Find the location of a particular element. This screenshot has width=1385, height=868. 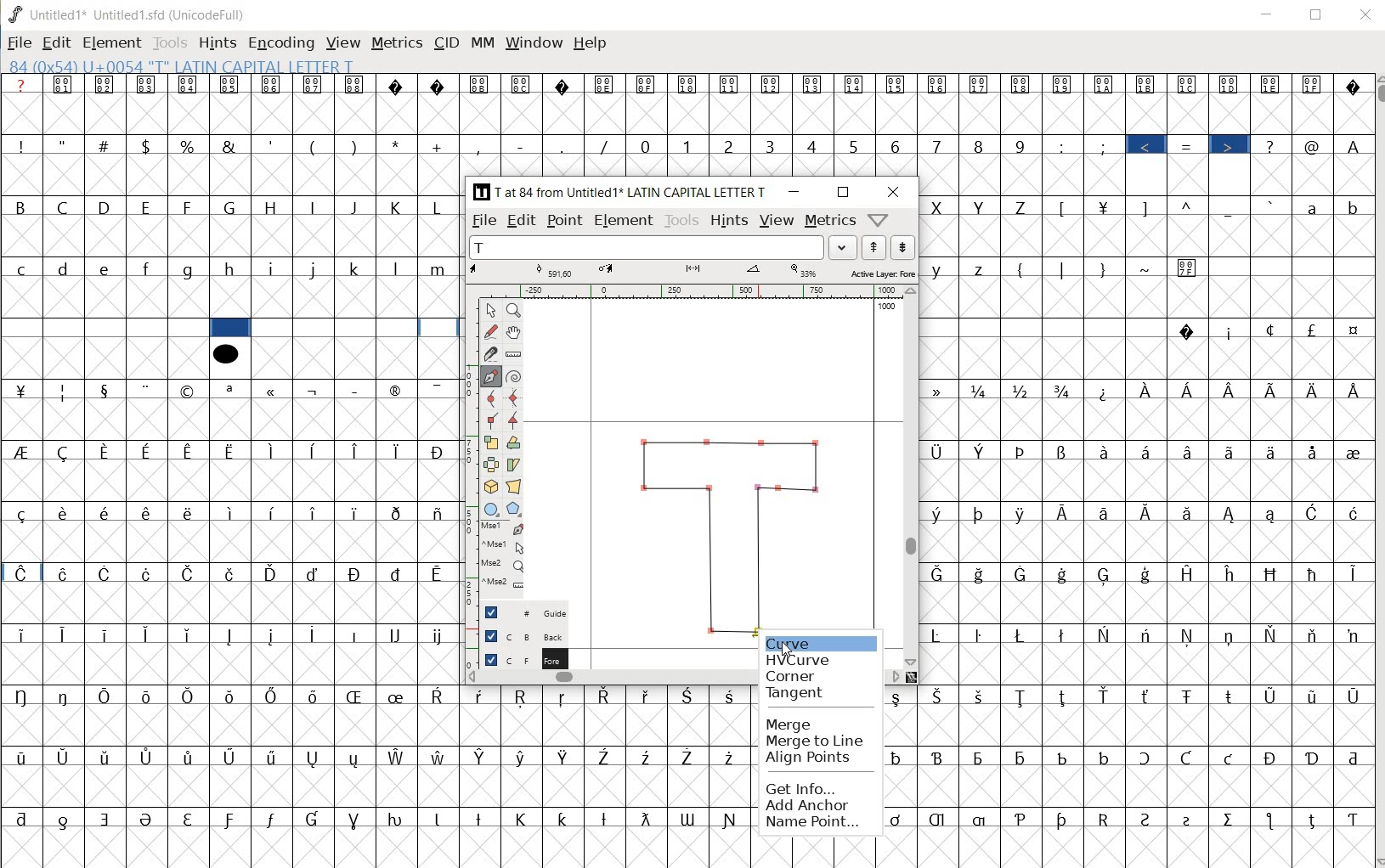

Symbol is located at coordinates (233, 697).